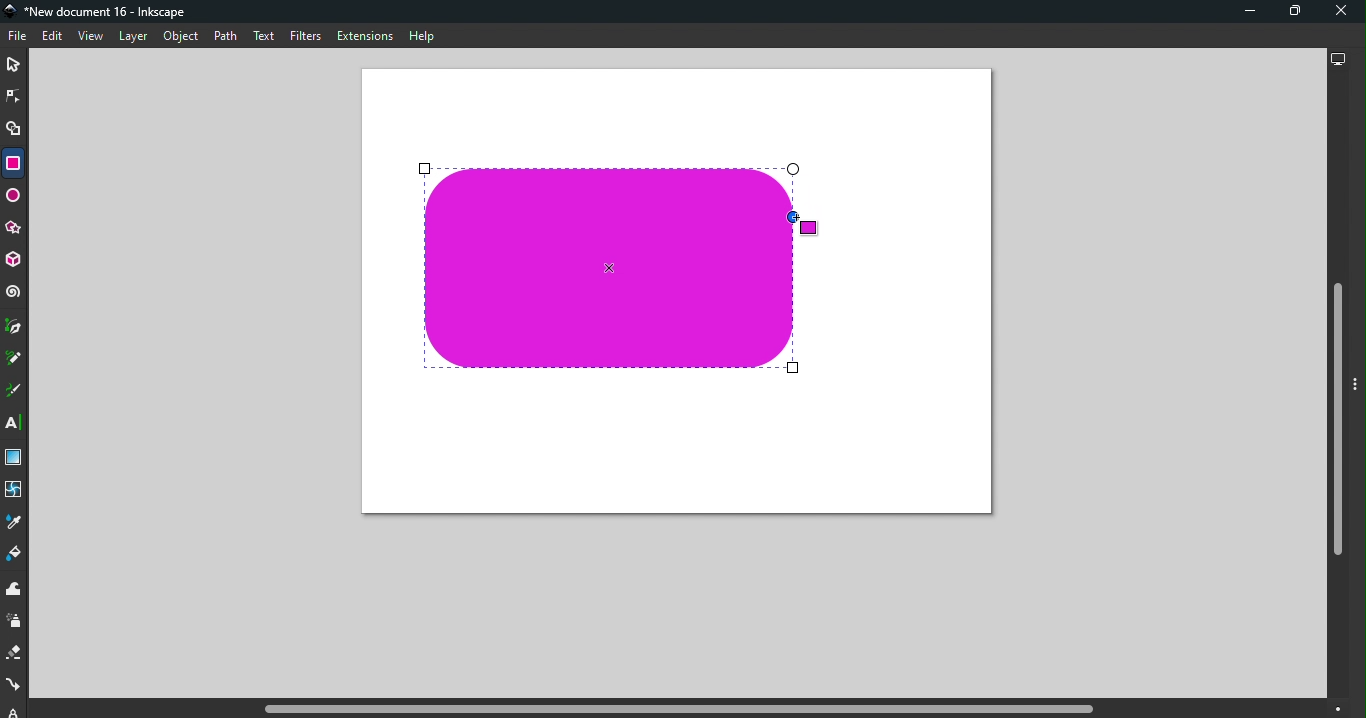 The image size is (1366, 718). What do you see at coordinates (12, 163) in the screenshot?
I see `Rectangle tool` at bounding box center [12, 163].